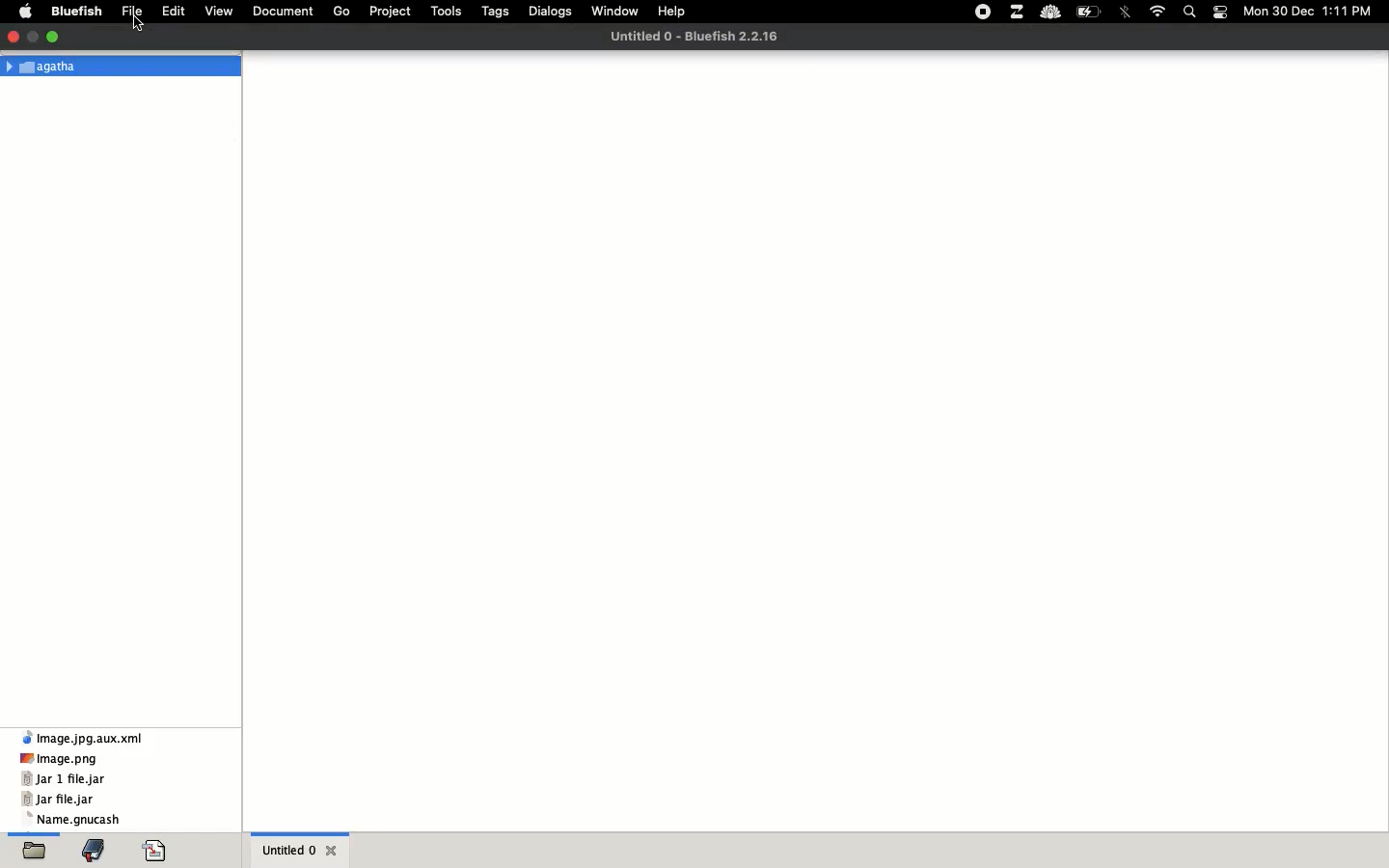 This screenshot has width=1389, height=868. I want to click on jar 1 file.jar, so click(64, 779).